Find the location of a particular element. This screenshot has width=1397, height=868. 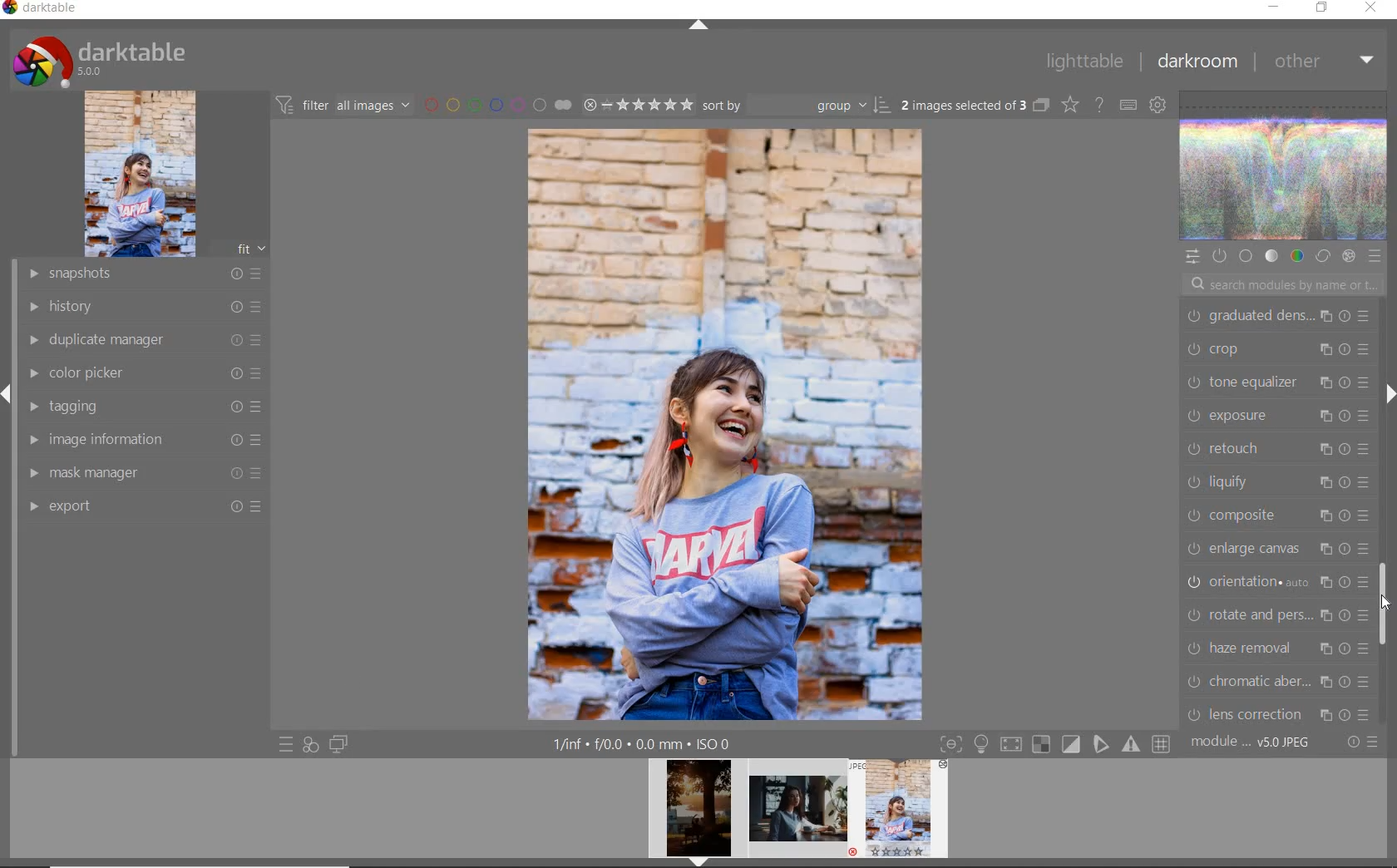

system name is located at coordinates (41, 10).